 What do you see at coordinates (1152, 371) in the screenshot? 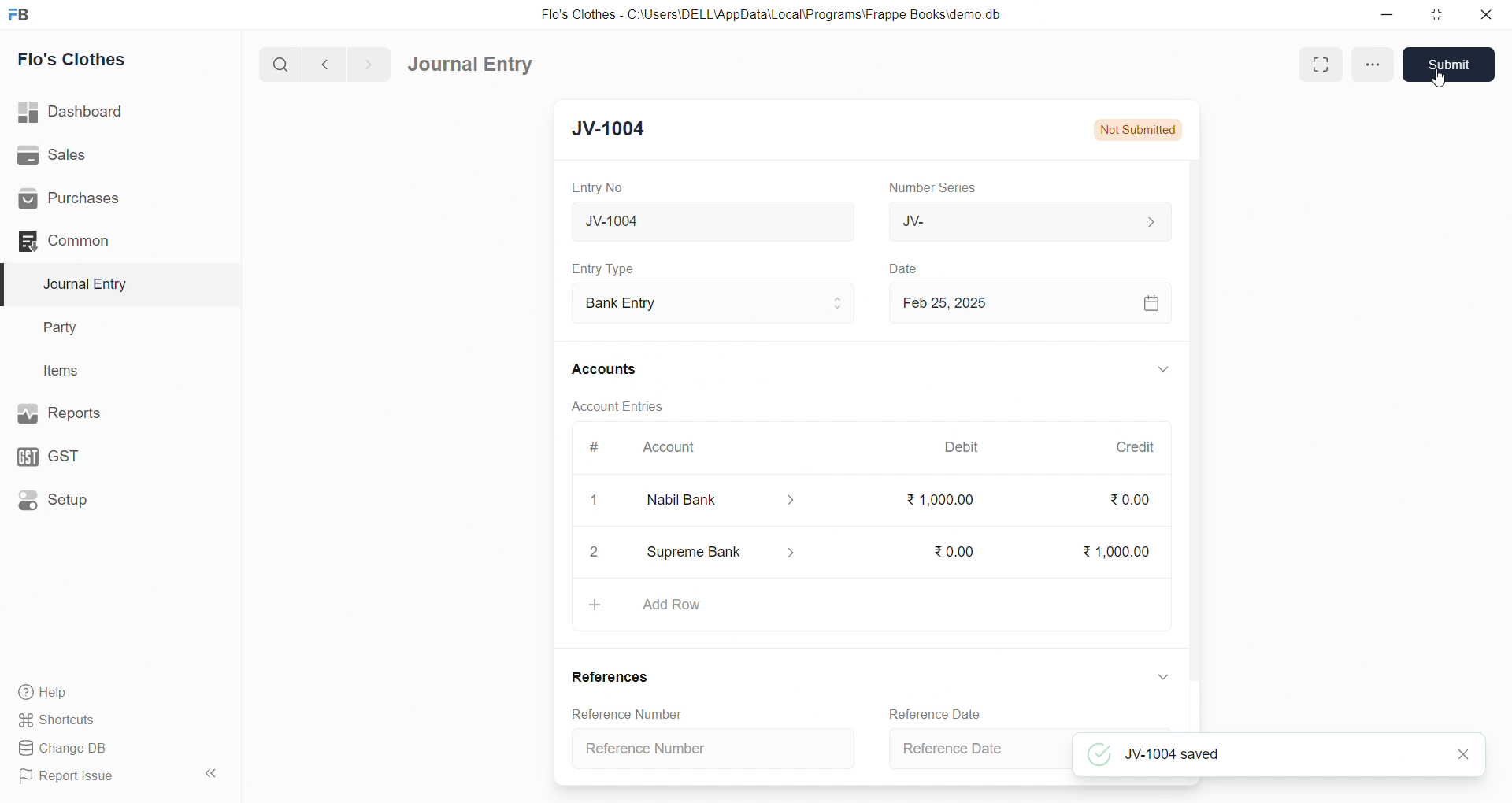
I see `Expand/Collapse` at bounding box center [1152, 371].